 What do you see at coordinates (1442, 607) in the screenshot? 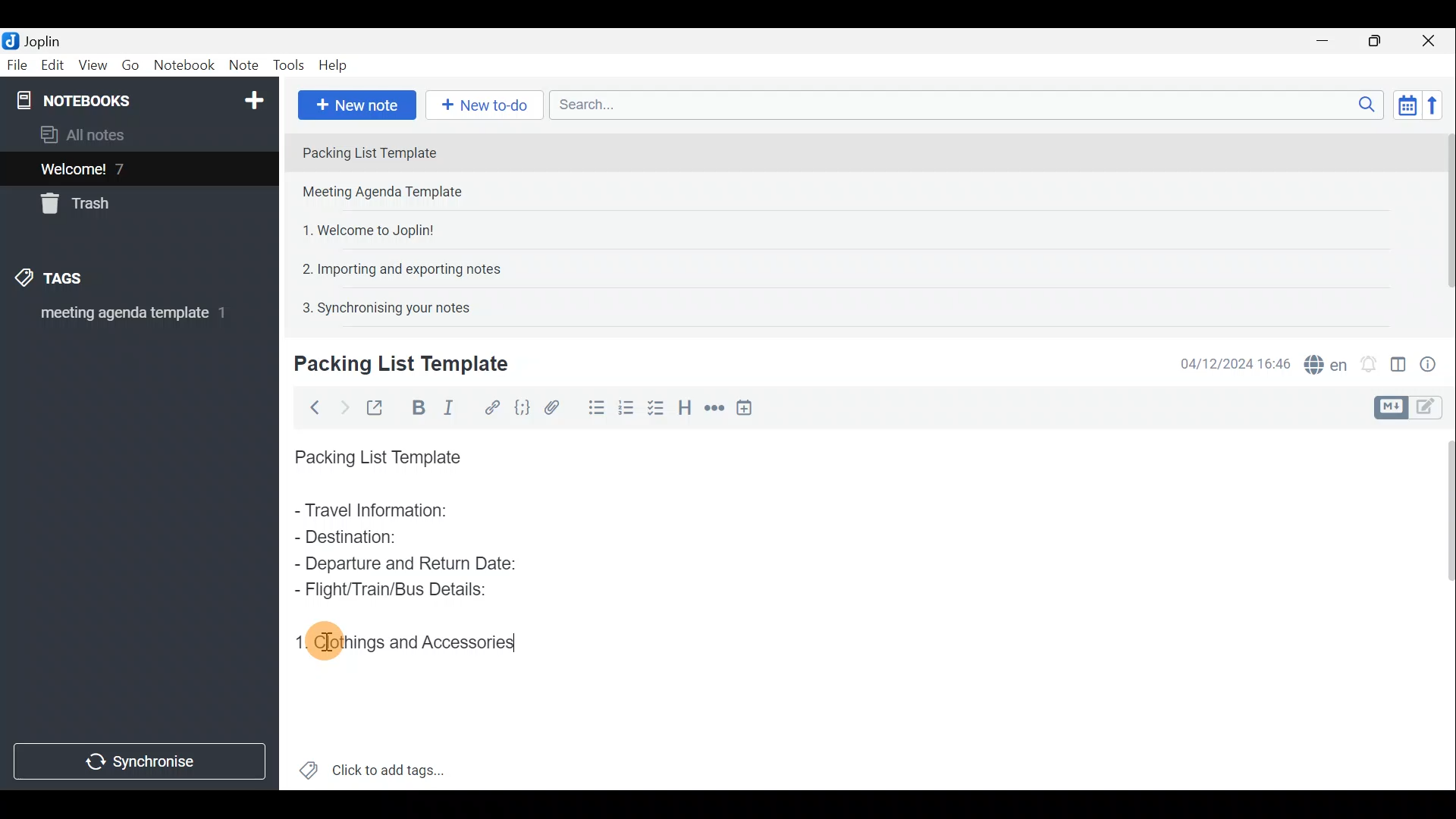
I see `Scroll bar` at bounding box center [1442, 607].